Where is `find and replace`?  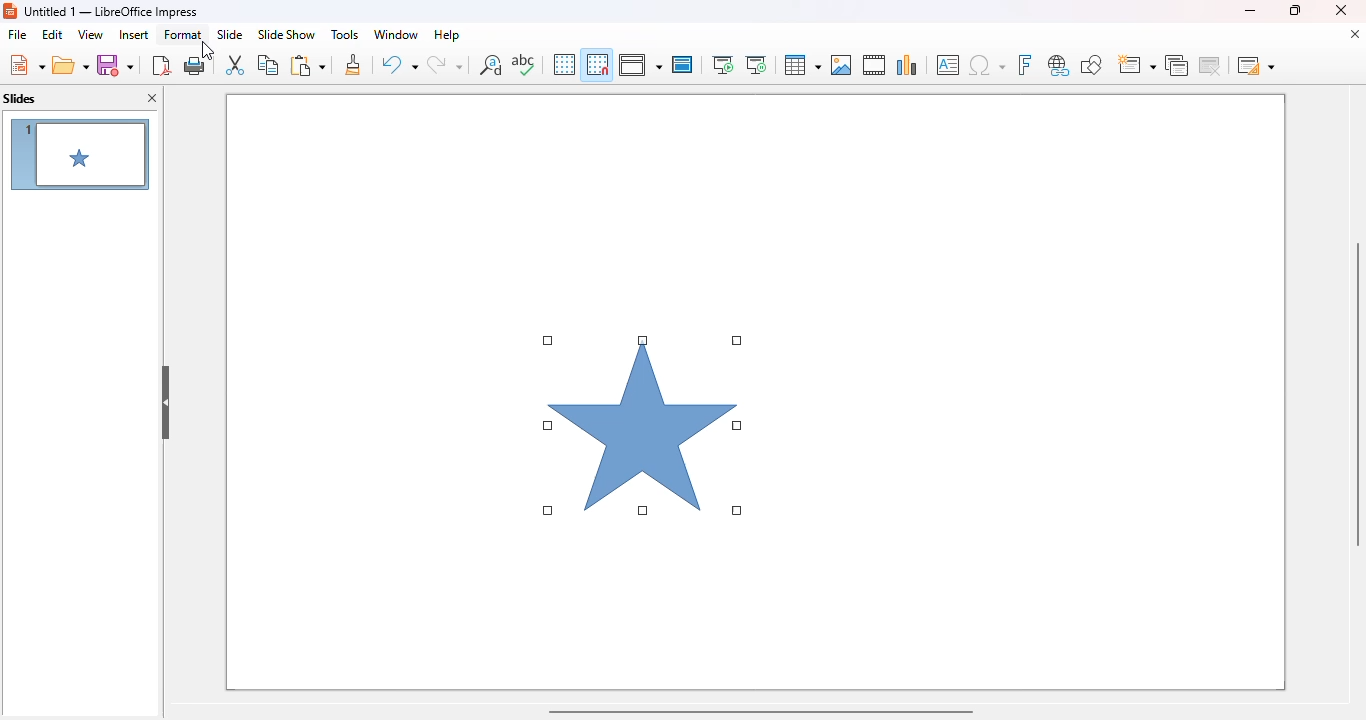
find and replace is located at coordinates (491, 64).